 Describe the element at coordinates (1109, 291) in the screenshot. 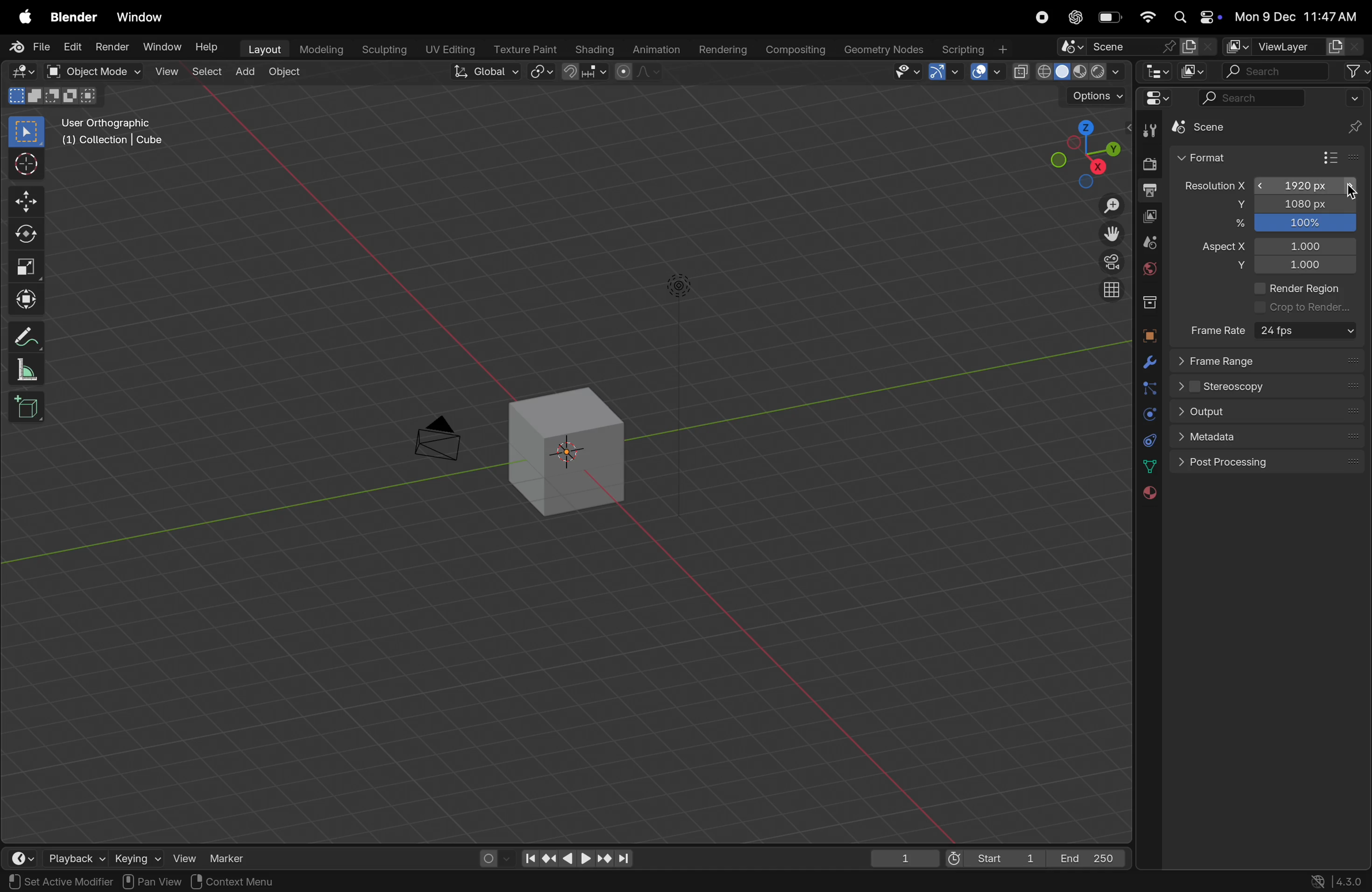

I see `orthographic view` at that location.